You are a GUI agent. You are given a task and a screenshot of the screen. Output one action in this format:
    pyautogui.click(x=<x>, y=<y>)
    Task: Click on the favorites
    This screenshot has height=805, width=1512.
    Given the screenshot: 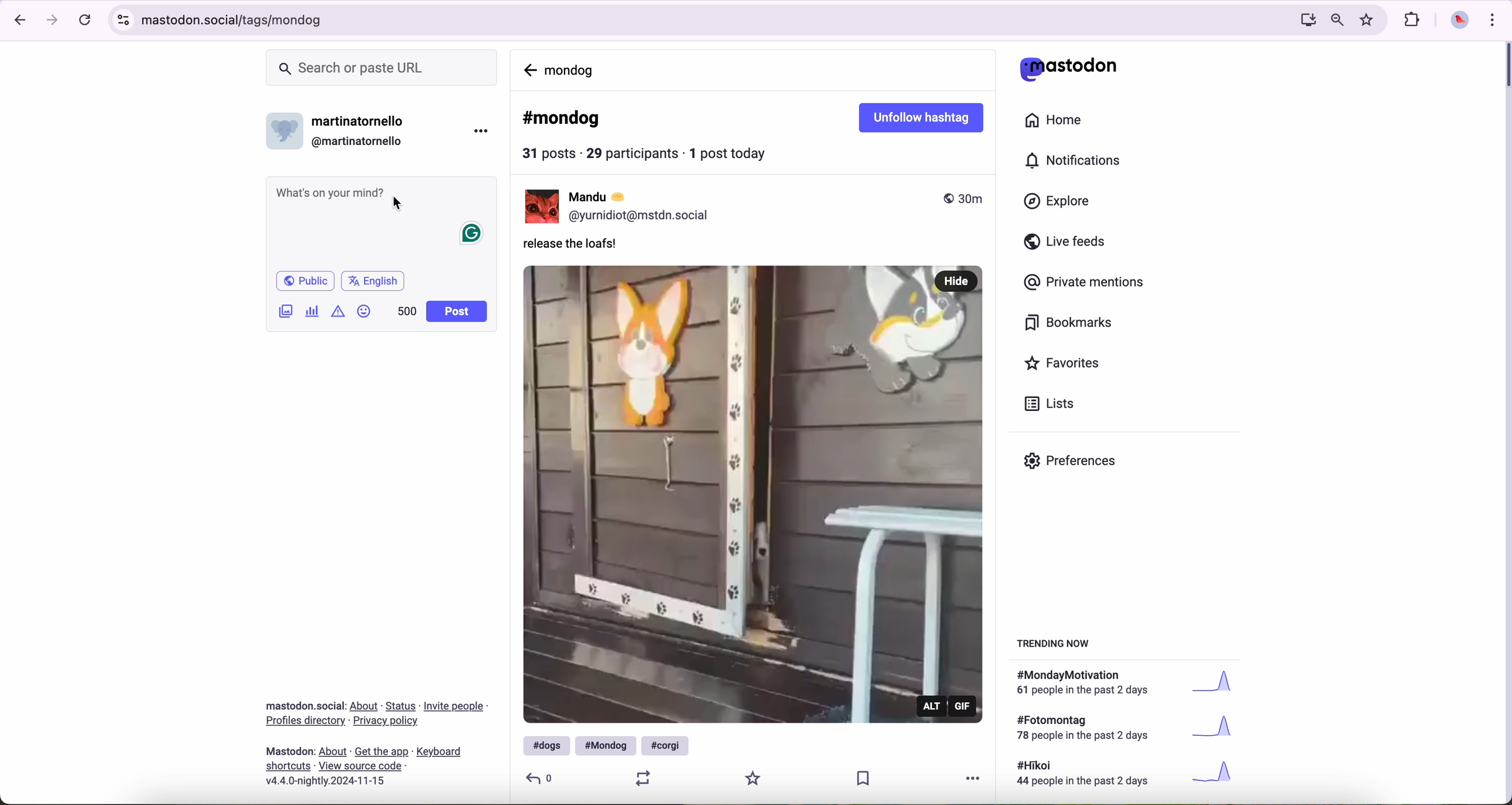 What is the action you would take?
    pyautogui.click(x=1064, y=363)
    